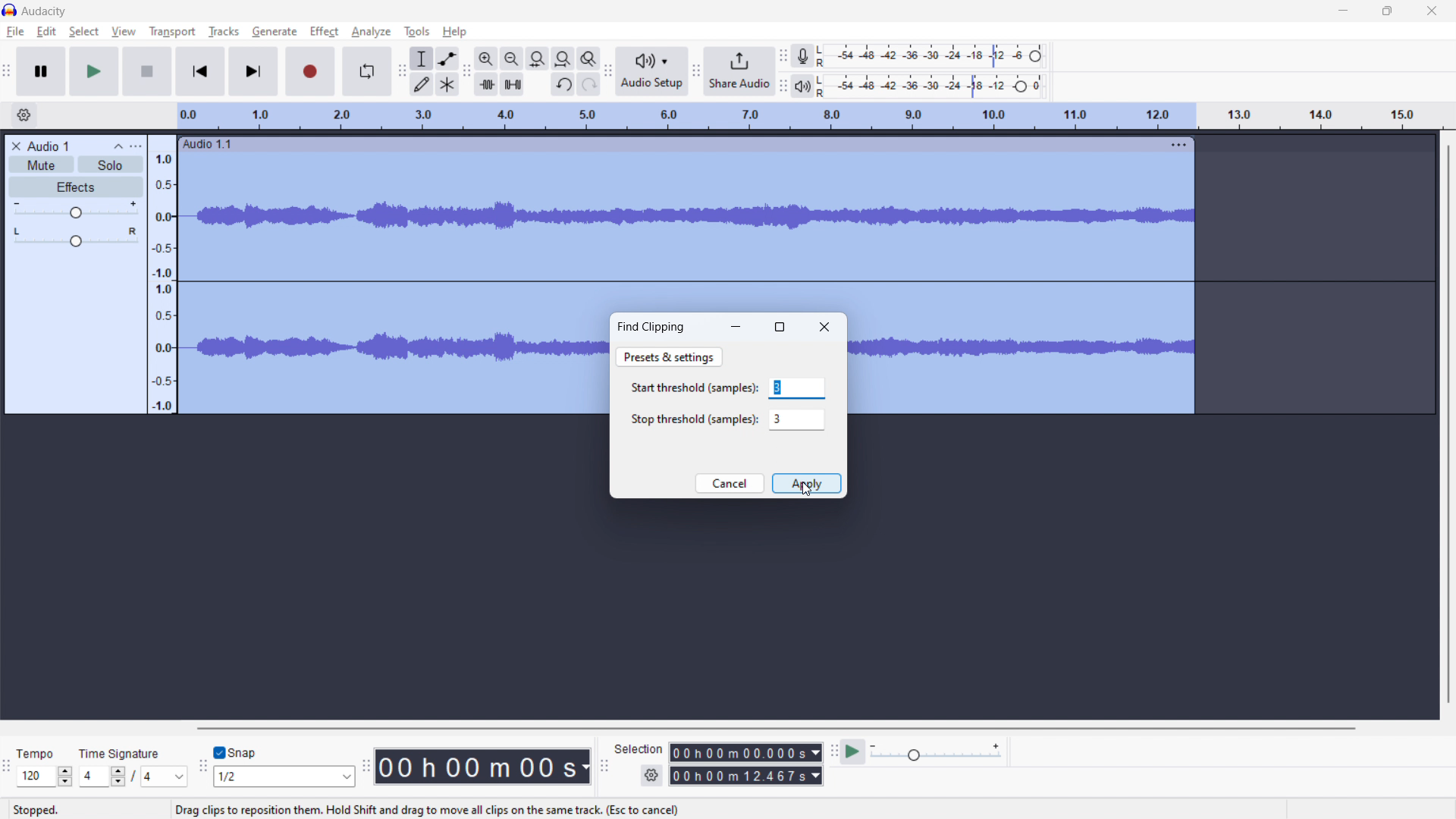 Image resolution: width=1456 pixels, height=819 pixels. What do you see at coordinates (652, 72) in the screenshot?
I see `audio setup` at bounding box center [652, 72].